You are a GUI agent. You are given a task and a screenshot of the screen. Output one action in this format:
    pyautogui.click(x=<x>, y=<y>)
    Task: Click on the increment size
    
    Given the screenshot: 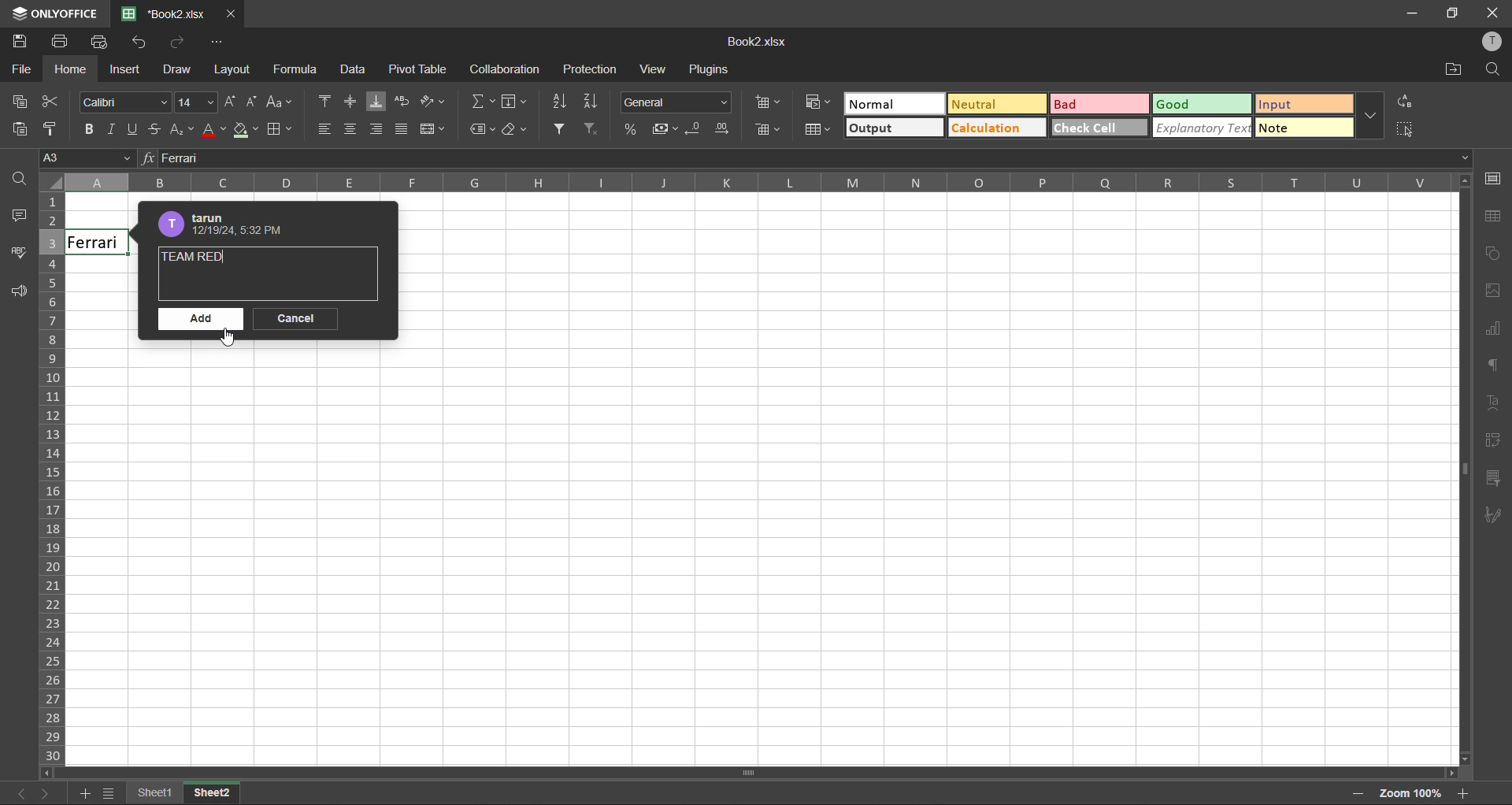 What is the action you would take?
    pyautogui.click(x=232, y=101)
    